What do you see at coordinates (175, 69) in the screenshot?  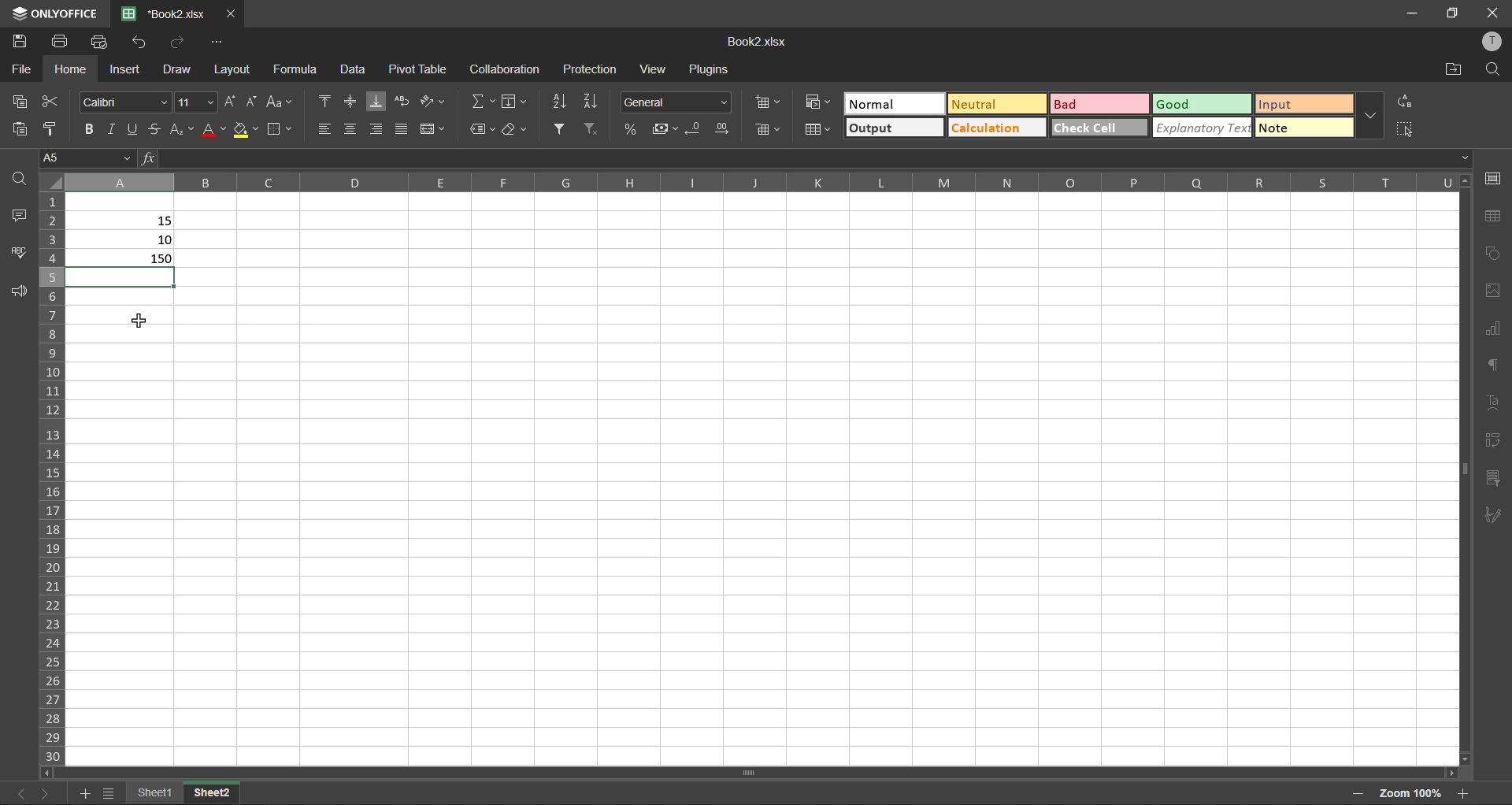 I see `draw` at bounding box center [175, 69].